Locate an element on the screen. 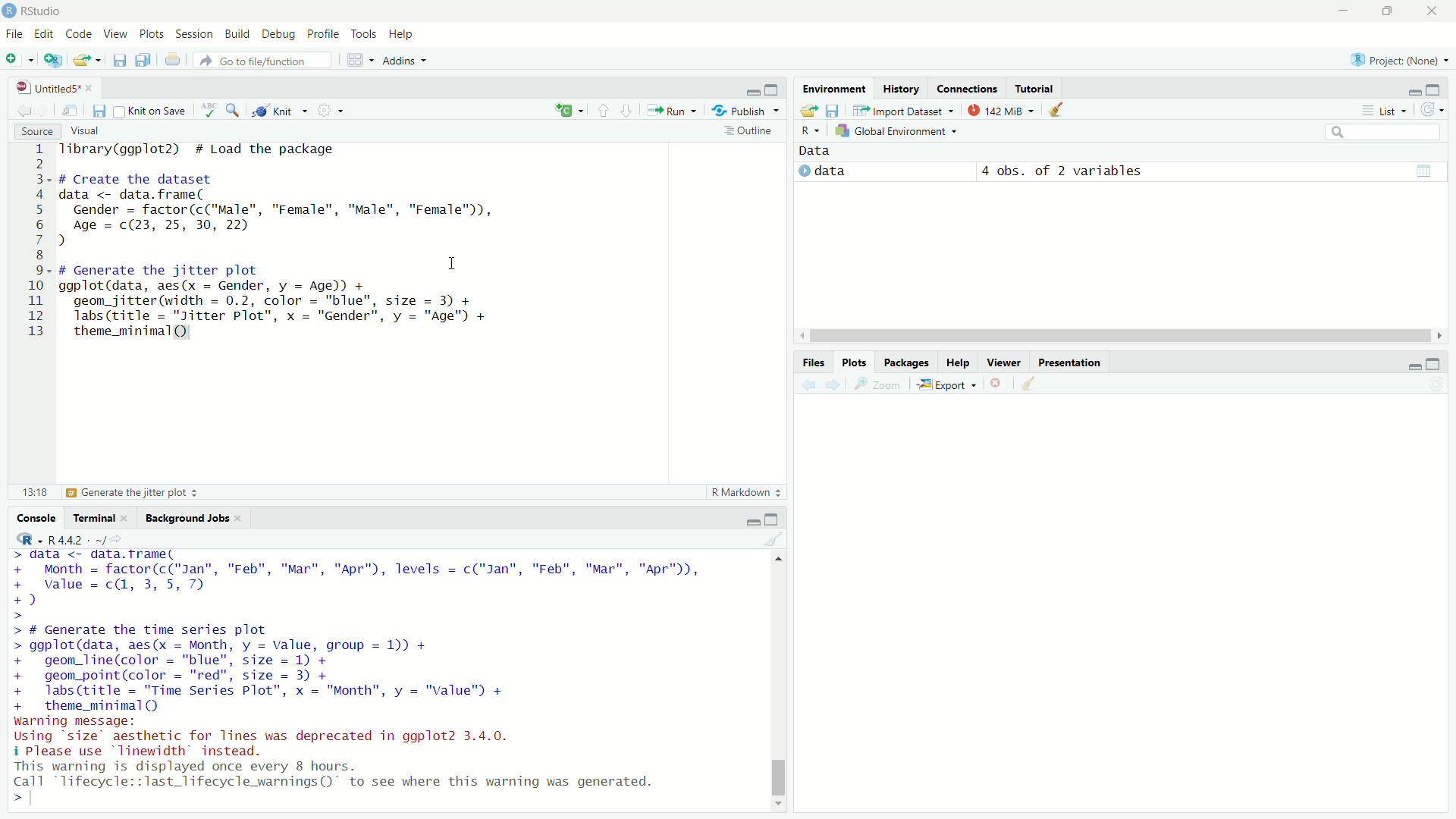 The width and height of the screenshot is (1456, 819). go to next section/chunk is located at coordinates (627, 110).